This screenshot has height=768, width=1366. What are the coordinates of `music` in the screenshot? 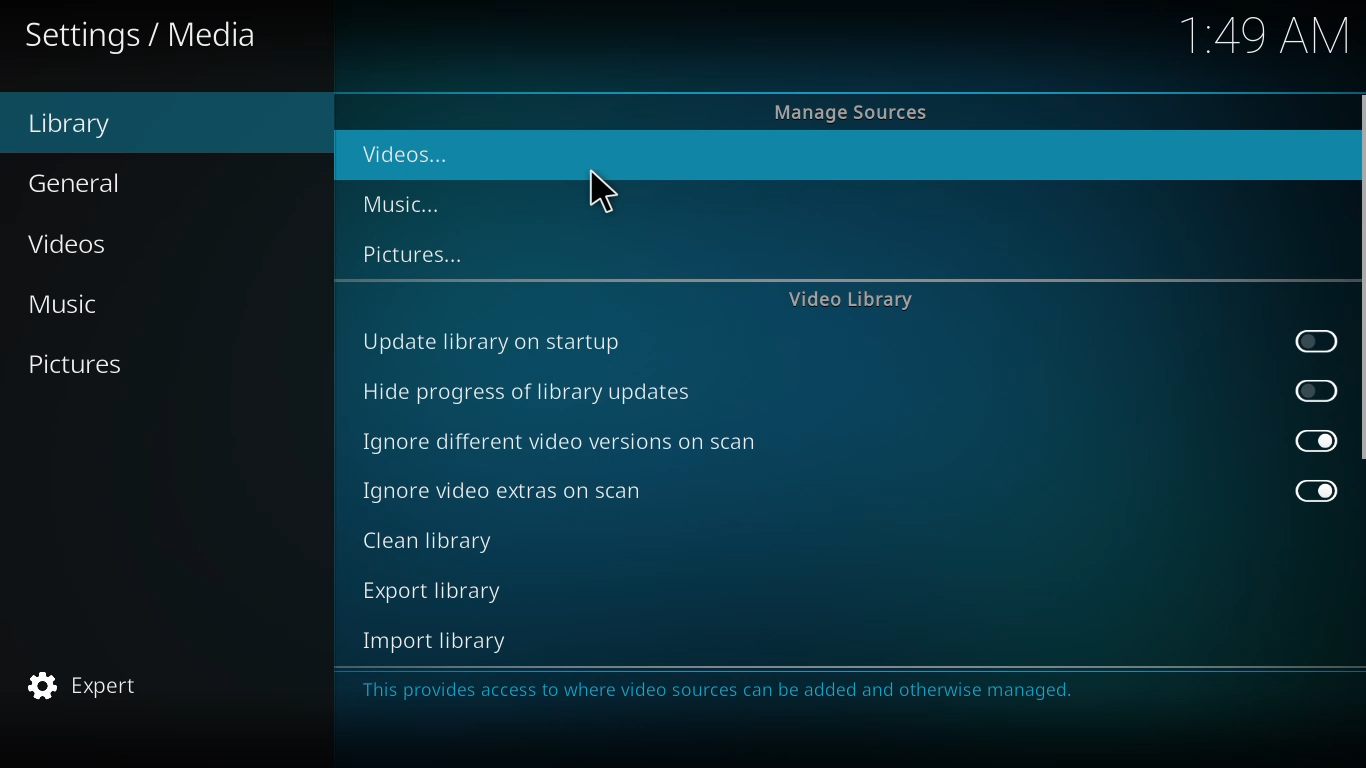 It's located at (408, 201).